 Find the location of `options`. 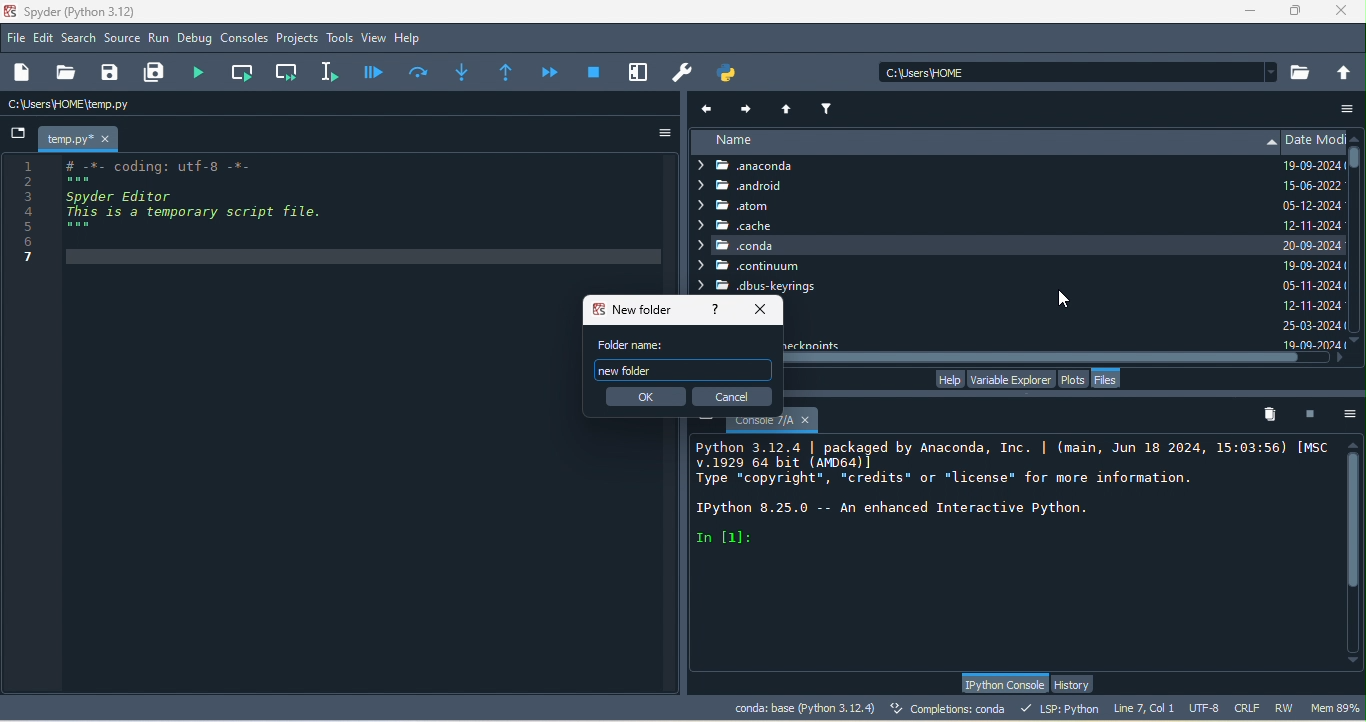

options is located at coordinates (657, 133).